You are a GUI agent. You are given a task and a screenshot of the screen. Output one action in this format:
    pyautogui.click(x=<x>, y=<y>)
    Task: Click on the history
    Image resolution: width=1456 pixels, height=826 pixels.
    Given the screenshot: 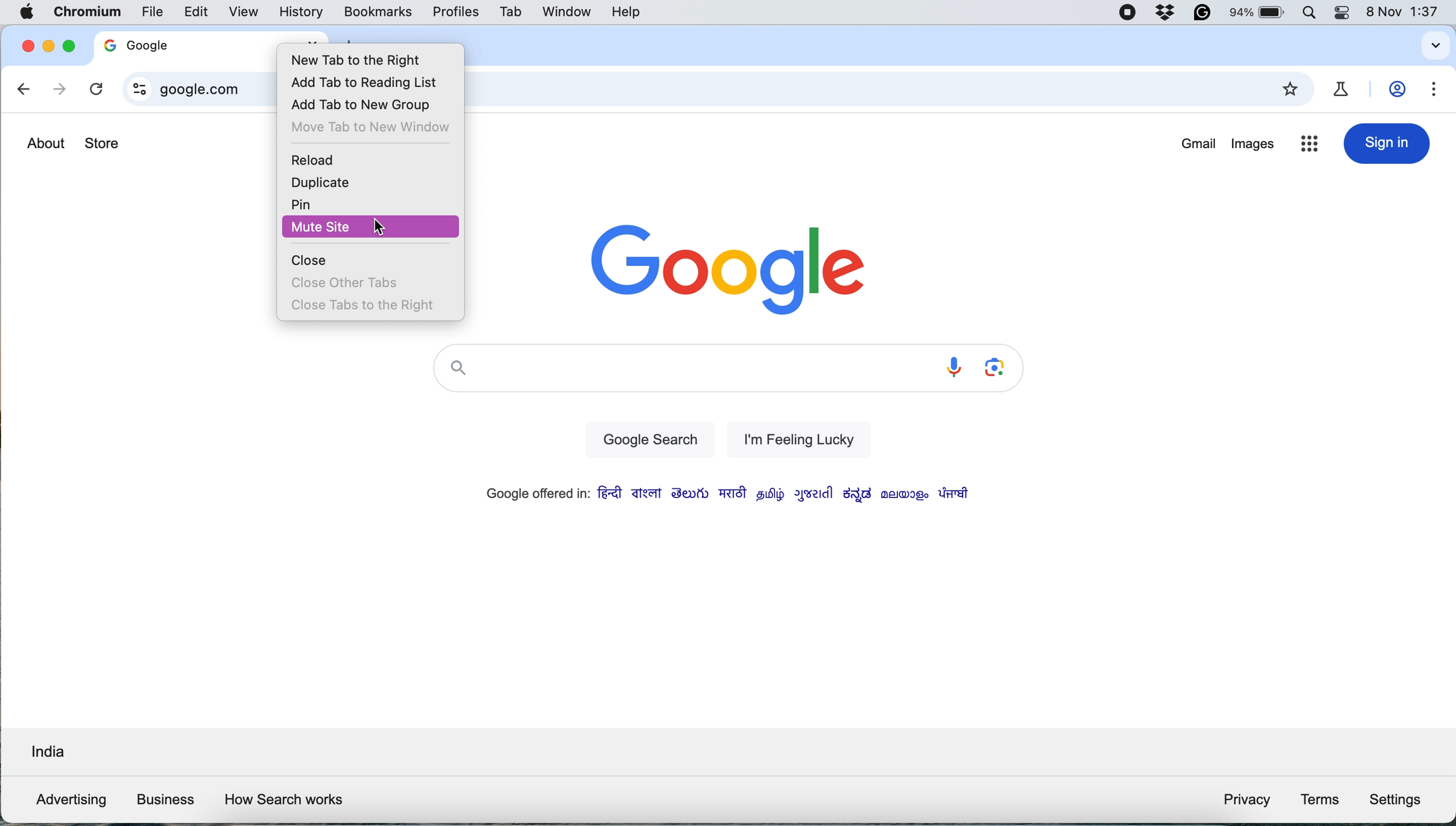 What is the action you would take?
    pyautogui.click(x=301, y=12)
    